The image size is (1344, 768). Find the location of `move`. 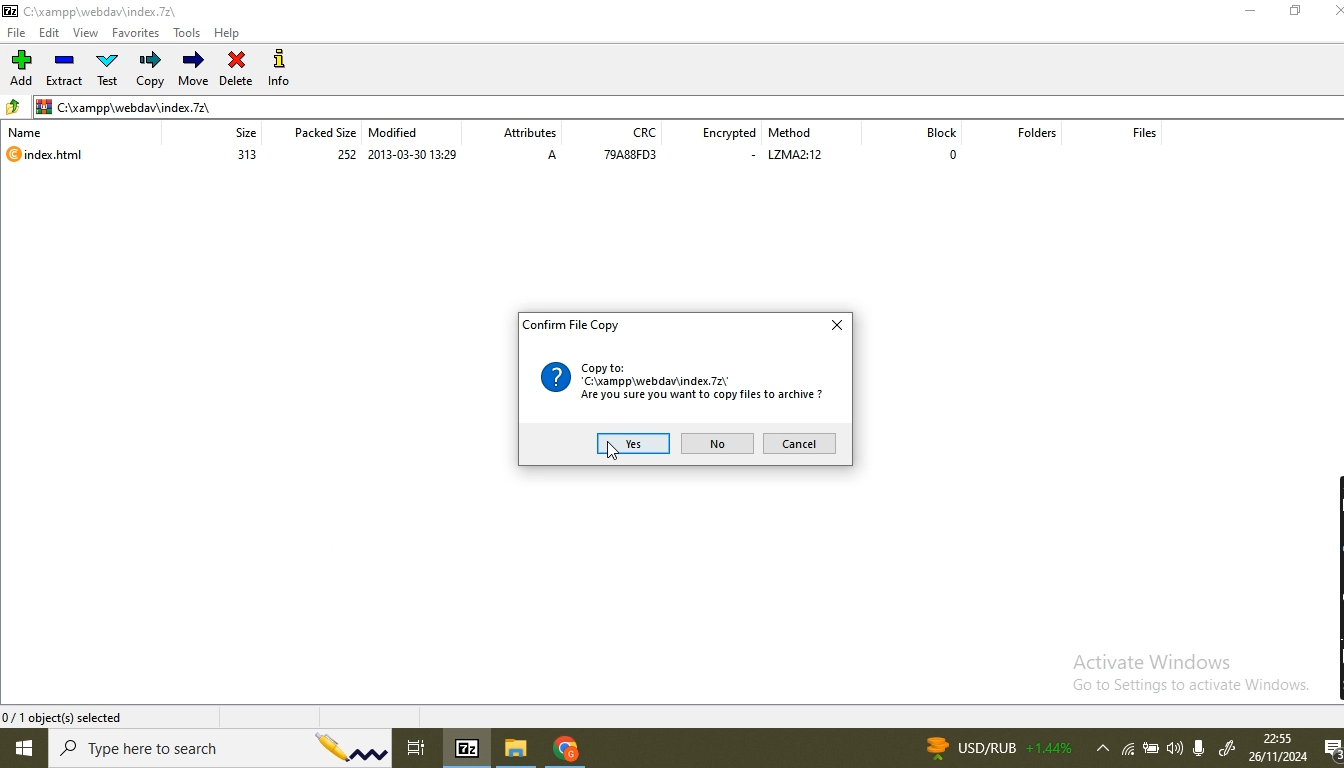

move is located at coordinates (194, 68).